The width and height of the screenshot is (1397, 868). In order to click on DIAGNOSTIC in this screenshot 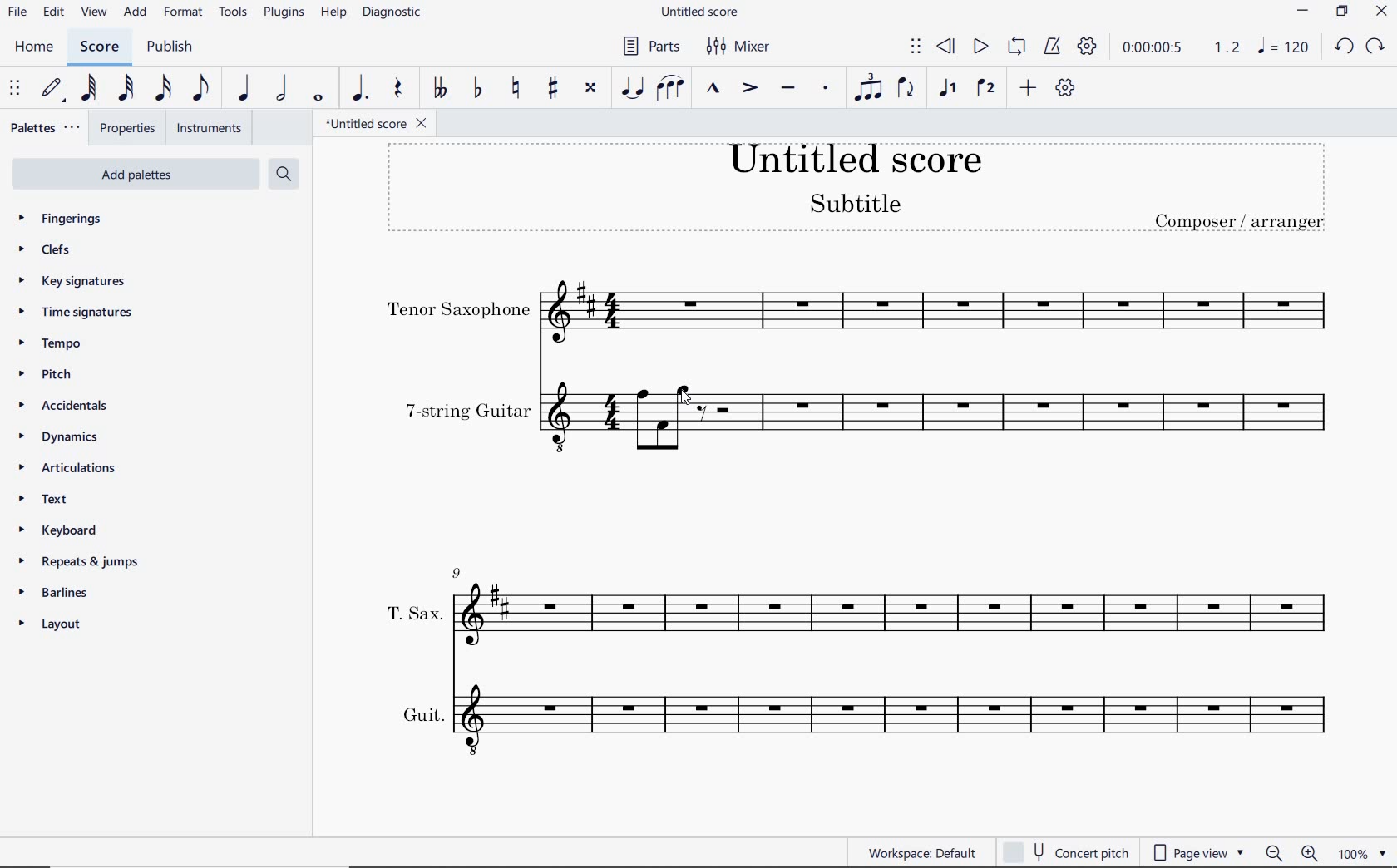, I will do `click(393, 14)`.